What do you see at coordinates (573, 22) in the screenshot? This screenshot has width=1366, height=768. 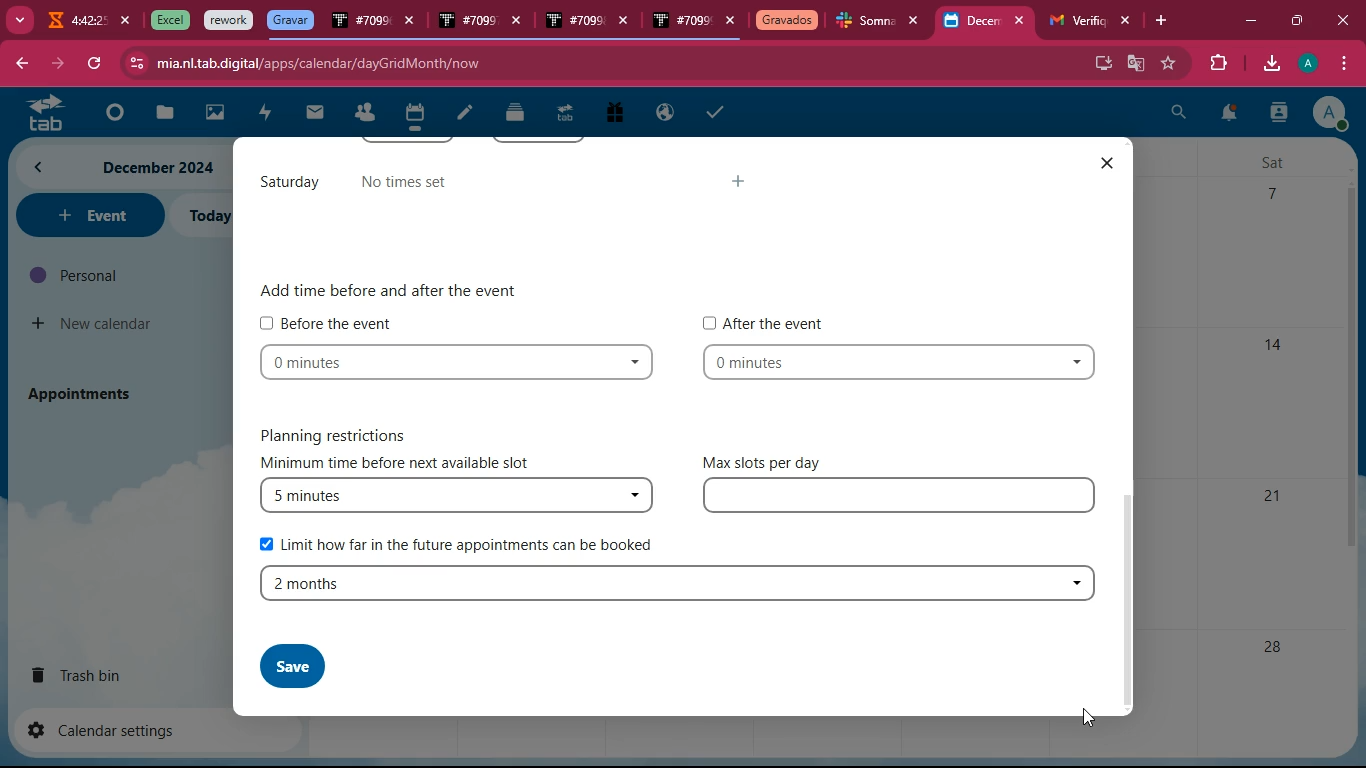 I see `tab` at bounding box center [573, 22].